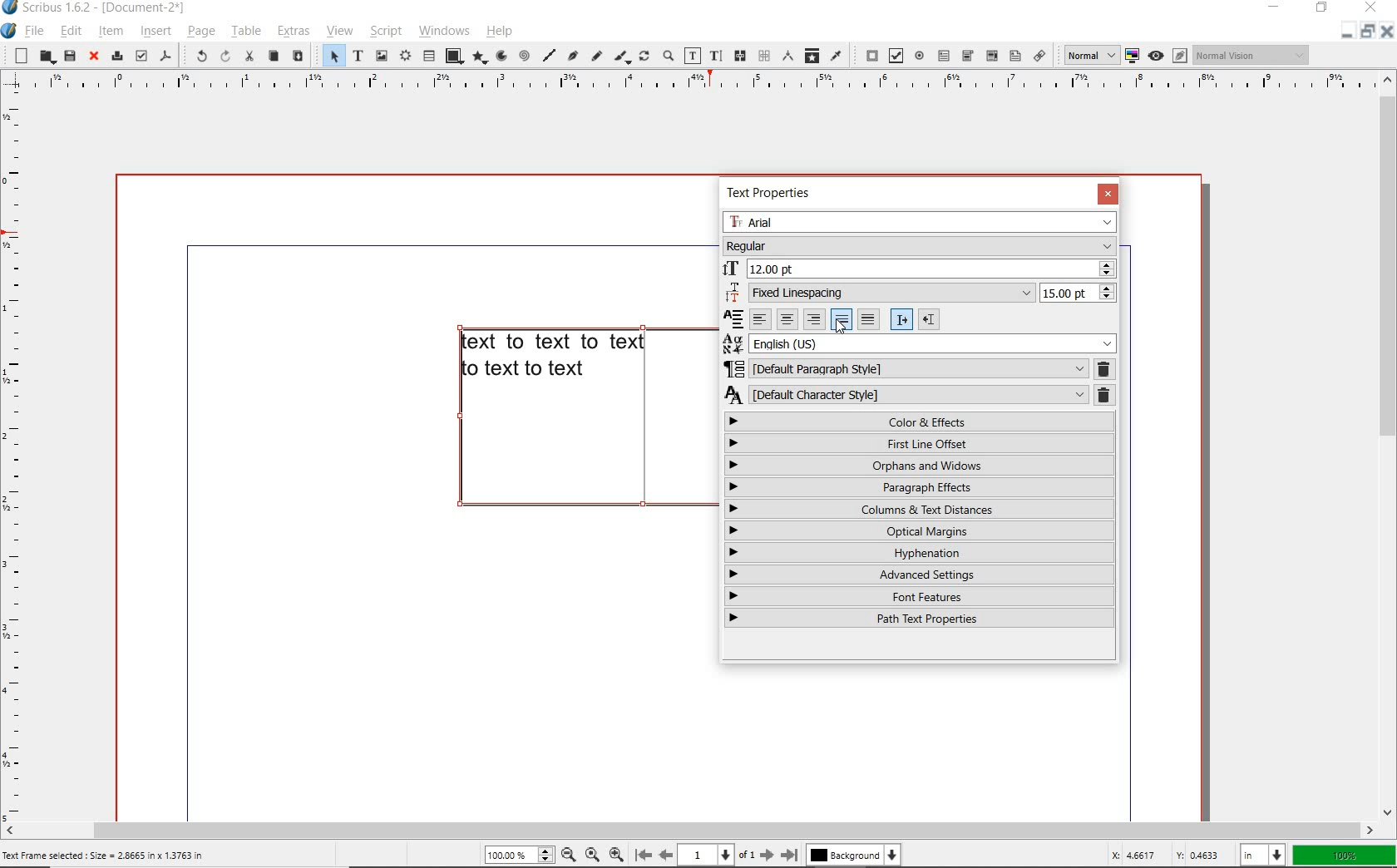 Image resolution: width=1397 pixels, height=868 pixels. What do you see at coordinates (46, 57) in the screenshot?
I see `open` at bounding box center [46, 57].